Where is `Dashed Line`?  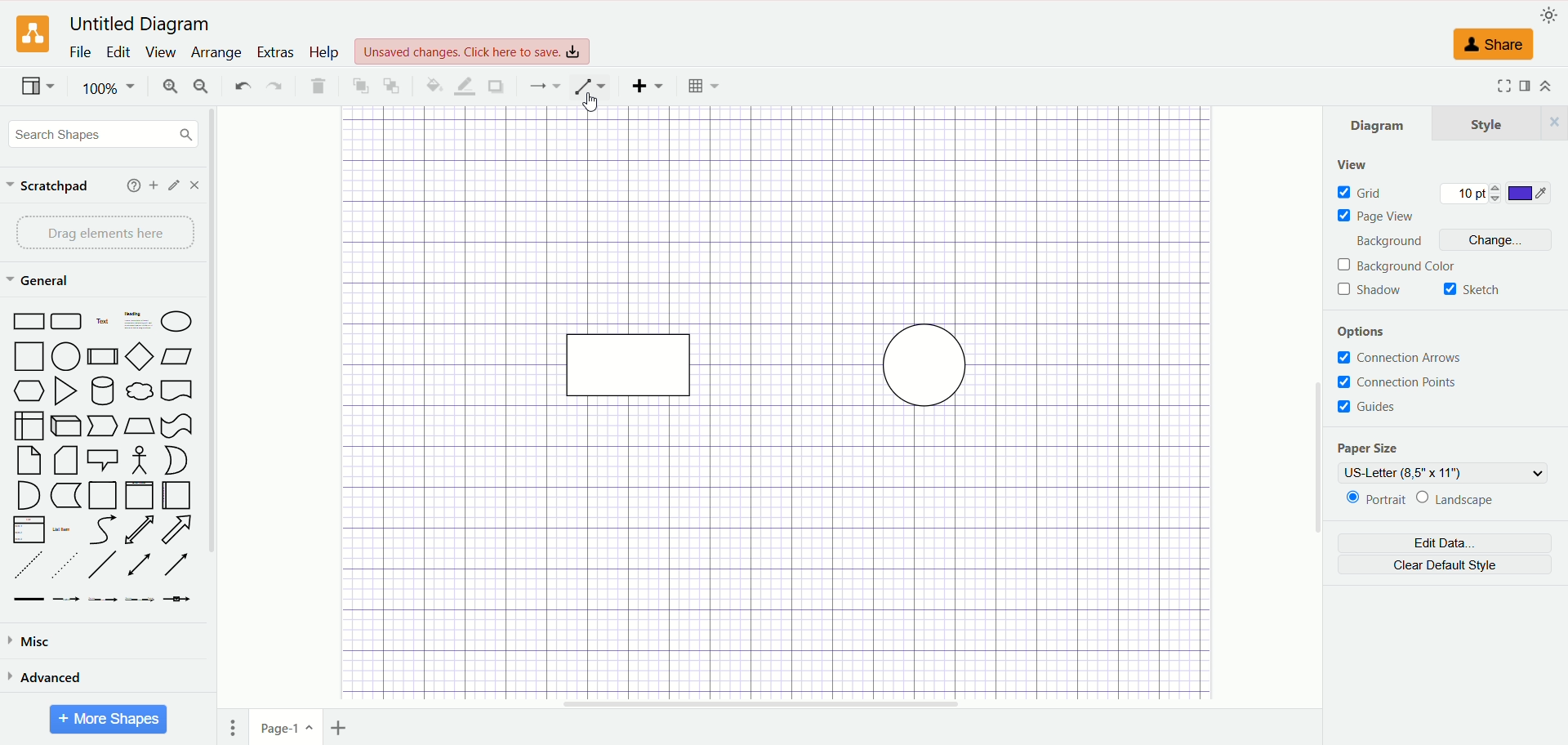
Dashed Line is located at coordinates (31, 564).